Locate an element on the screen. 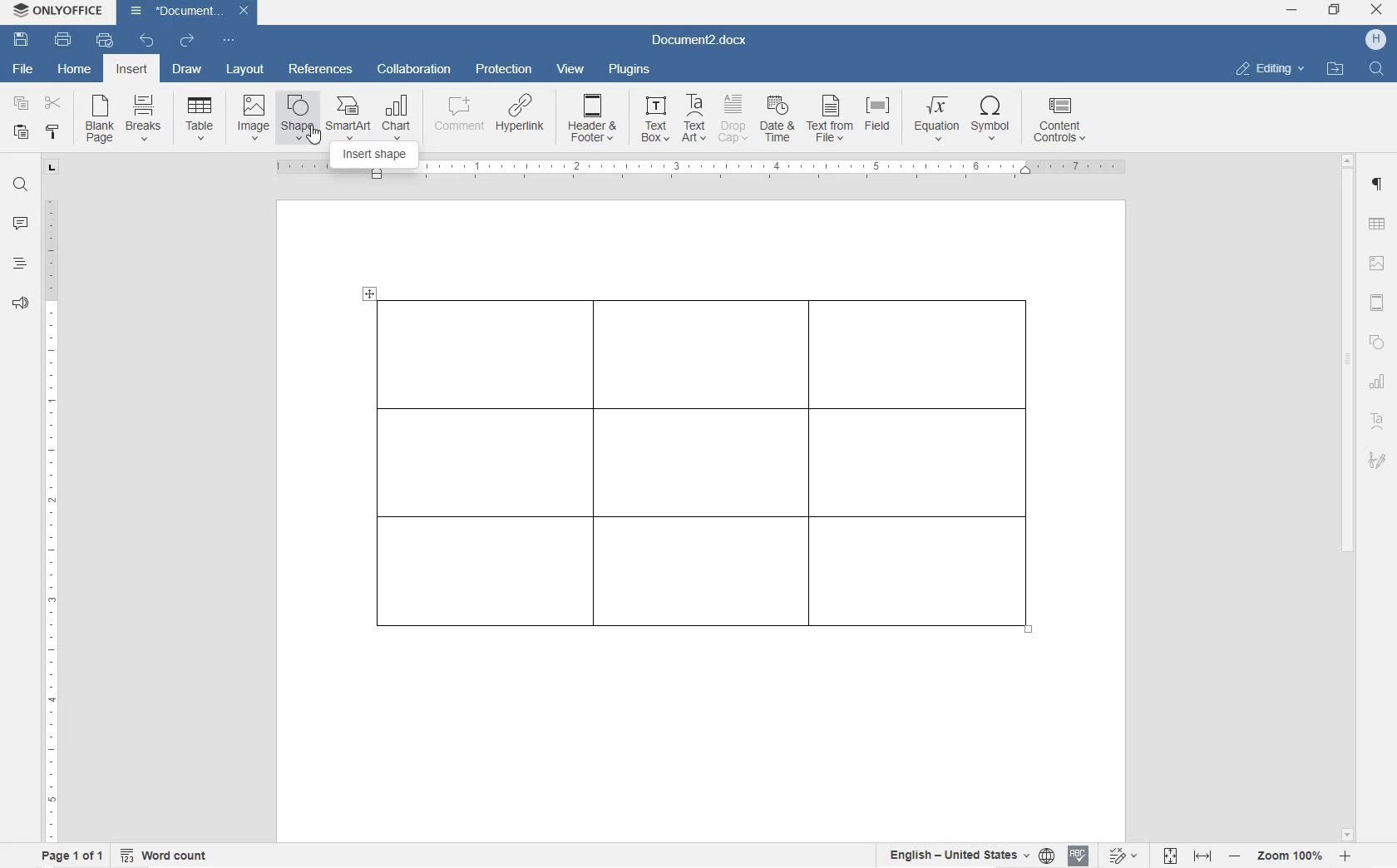  ONLYOFFICE is located at coordinates (61, 11).